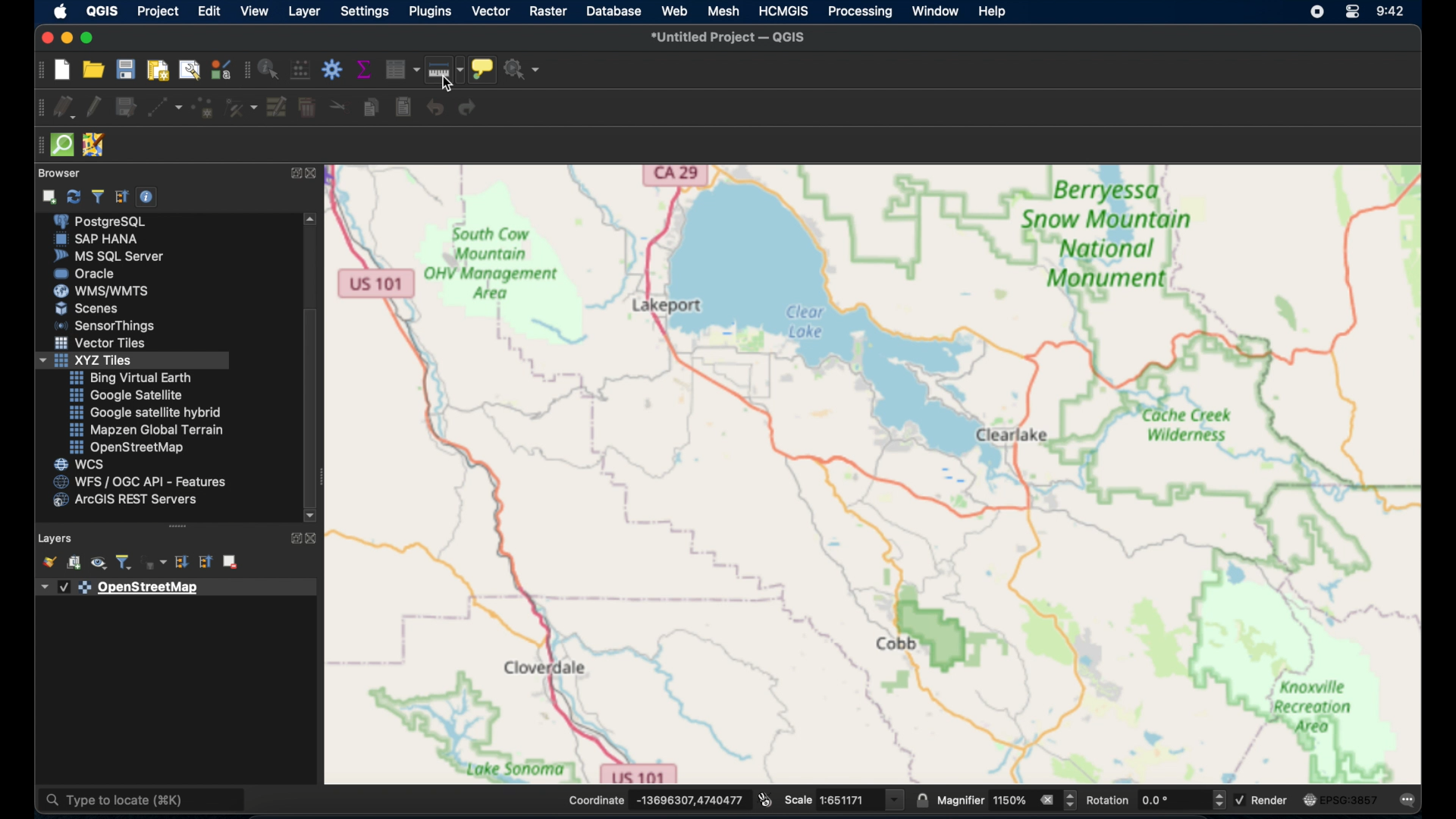 Image resolution: width=1456 pixels, height=819 pixels. I want to click on new print layout, so click(160, 70).